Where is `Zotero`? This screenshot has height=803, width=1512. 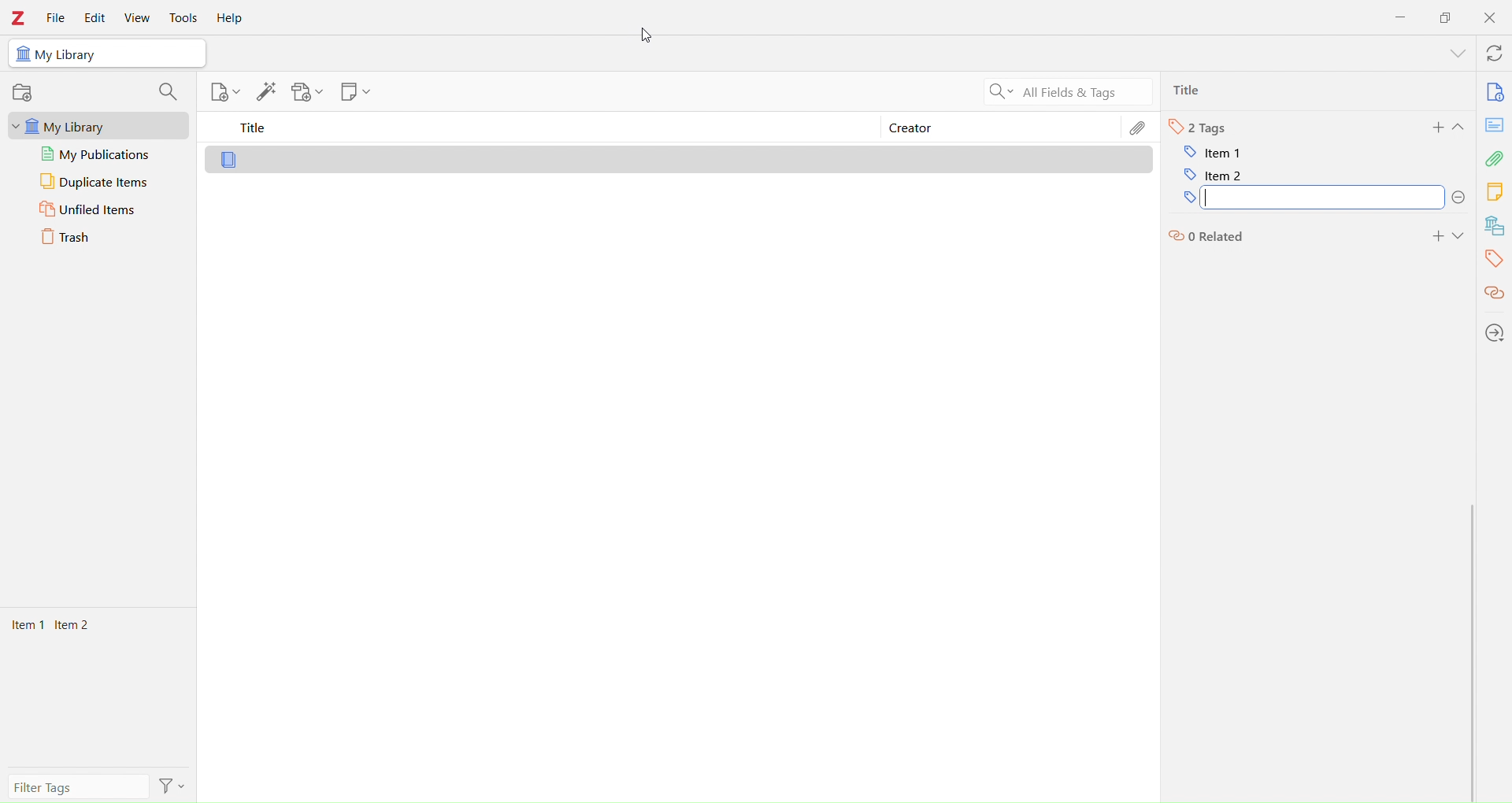 Zotero is located at coordinates (19, 18).